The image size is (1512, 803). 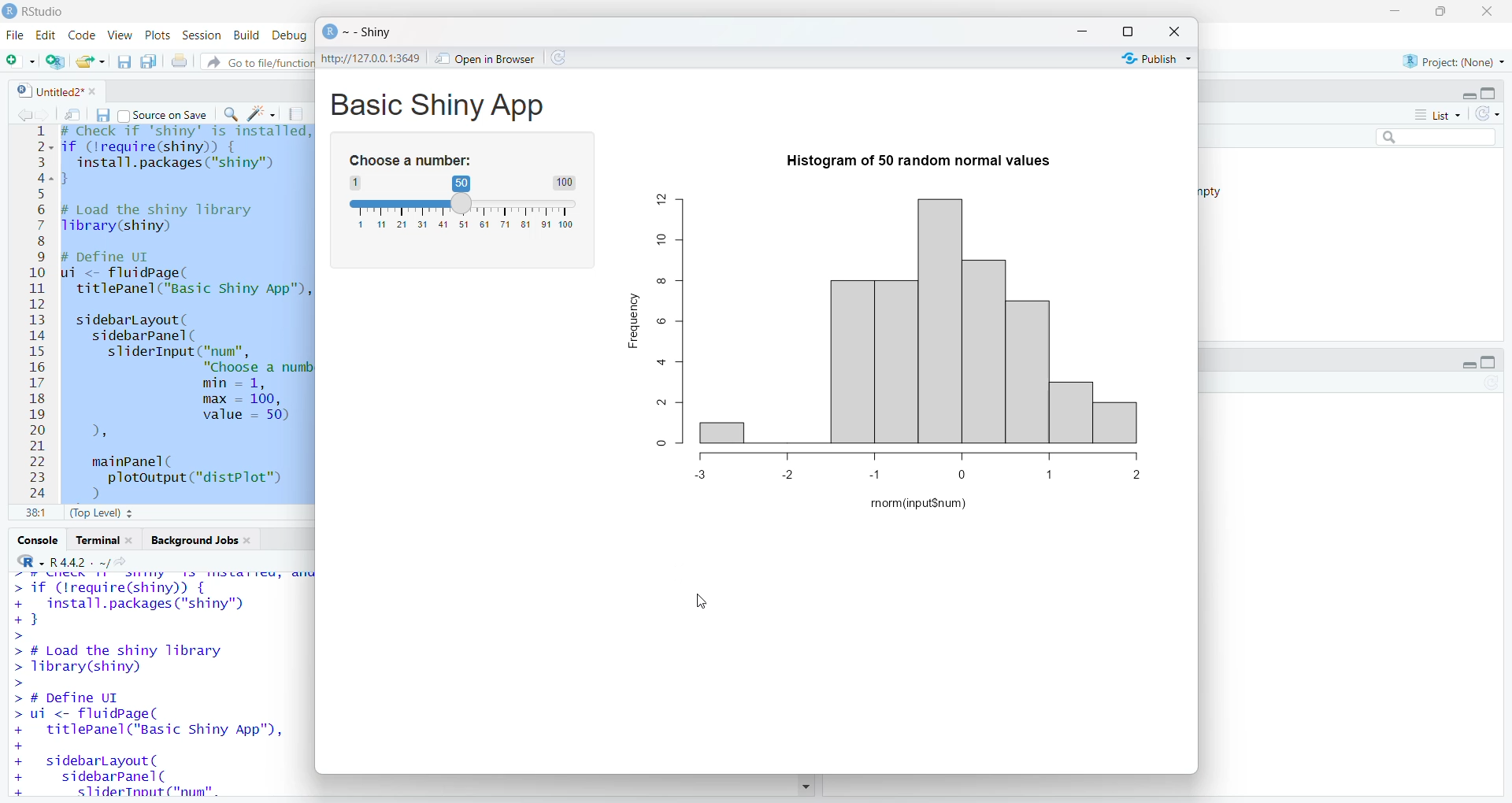 I want to click on Session, so click(x=201, y=35).